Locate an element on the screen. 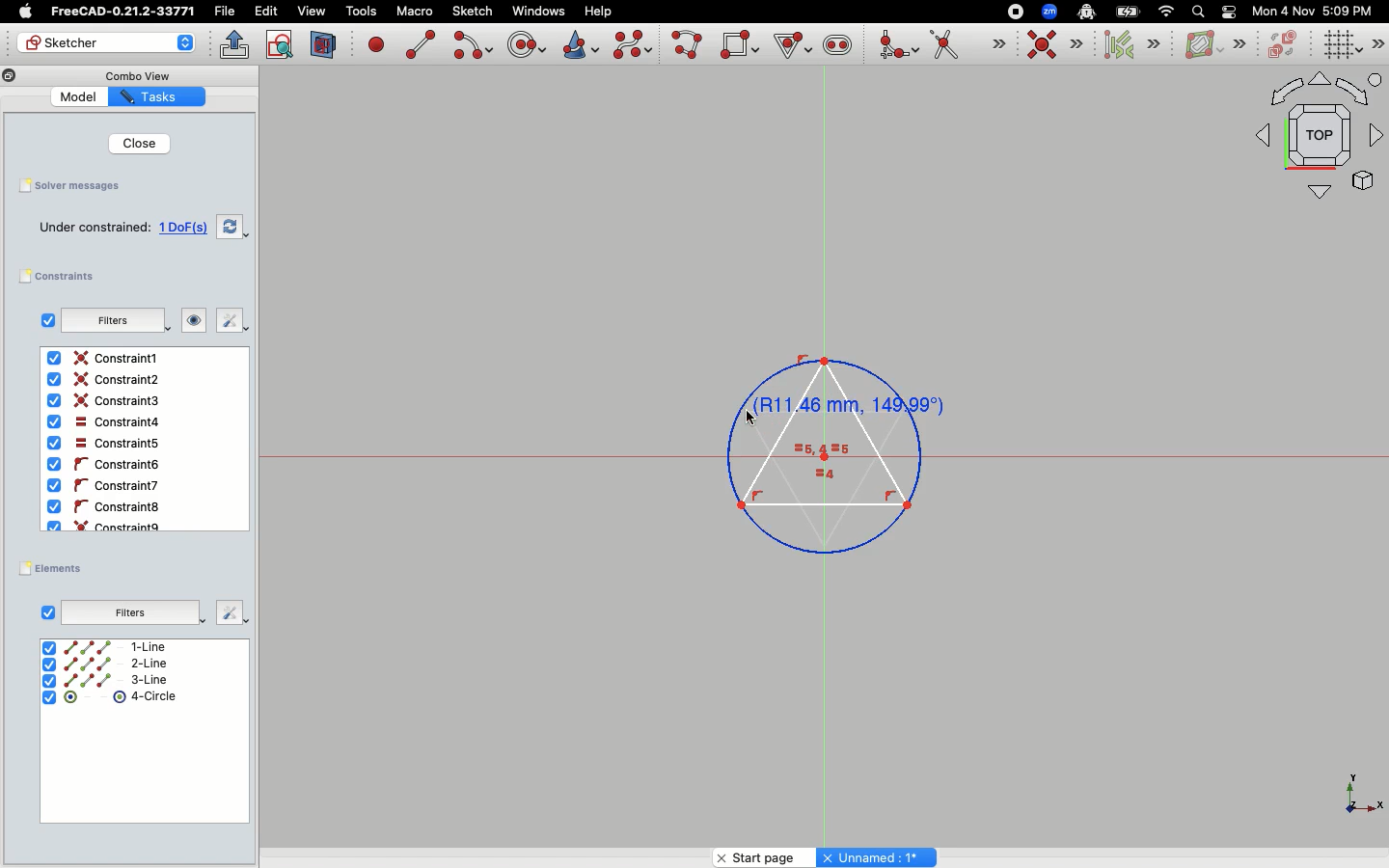  4-Circle is located at coordinates (109, 700).